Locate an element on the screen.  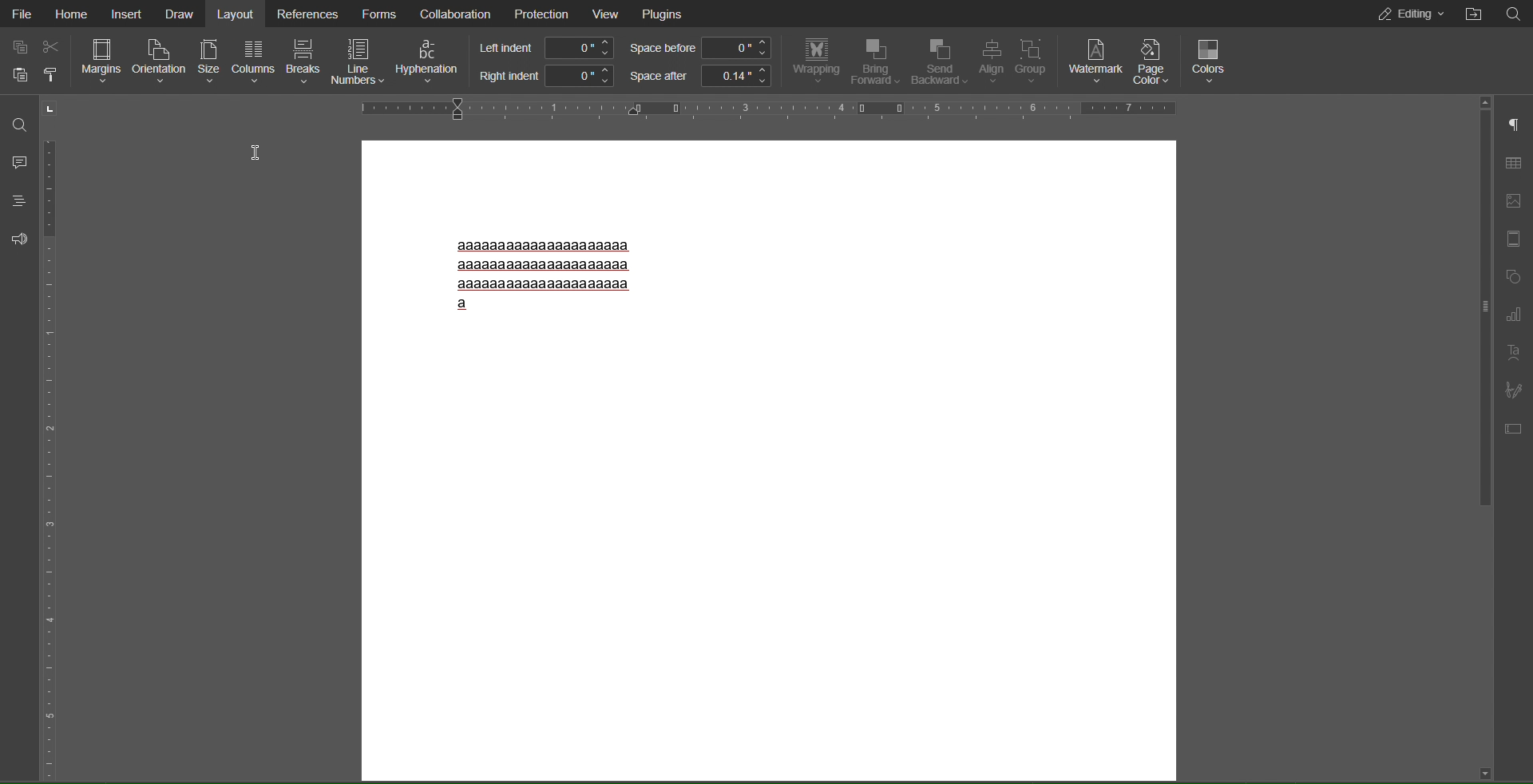
options is located at coordinates (53, 78).